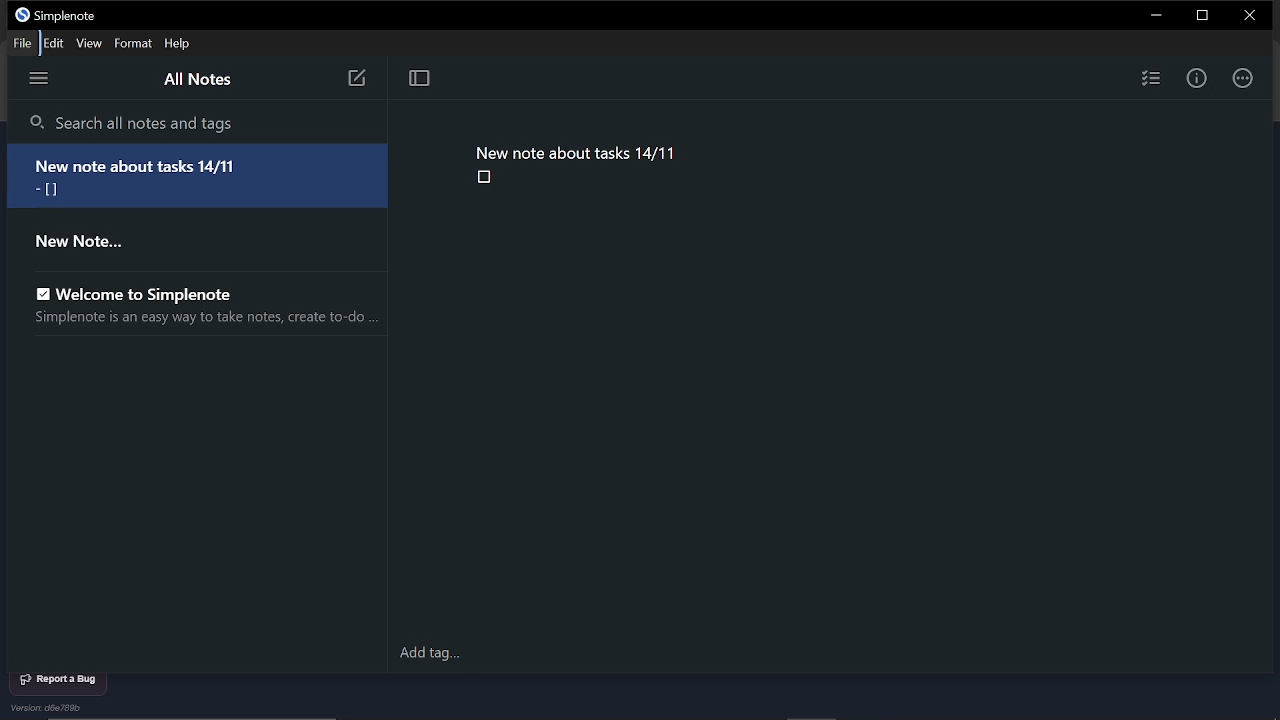 The width and height of the screenshot is (1280, 720). Describe the element at coordinates (426, 652) in the screenshot. I see `Add tag` at that location.